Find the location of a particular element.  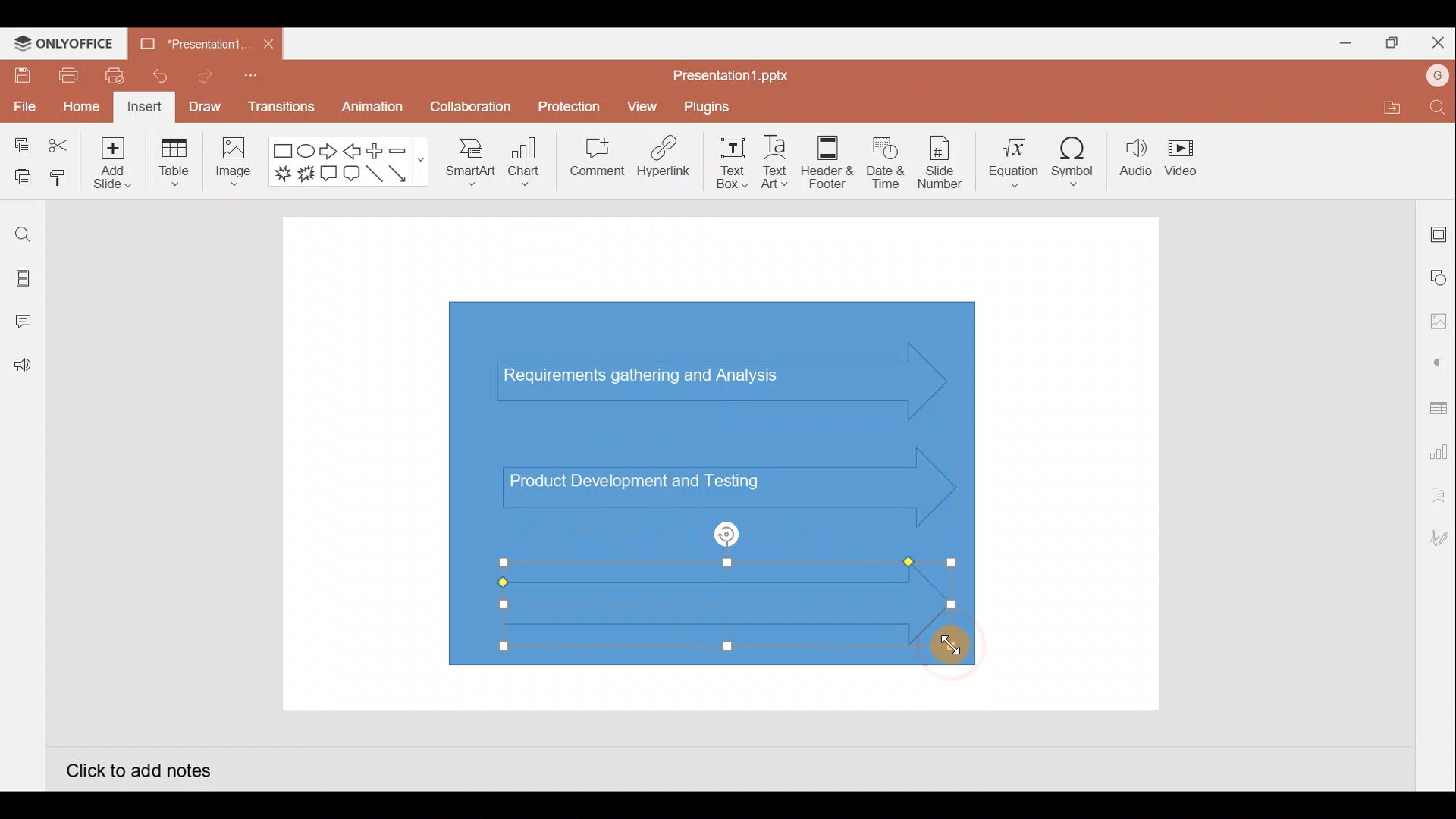

Maximize is located at coordinates (1388, 43).